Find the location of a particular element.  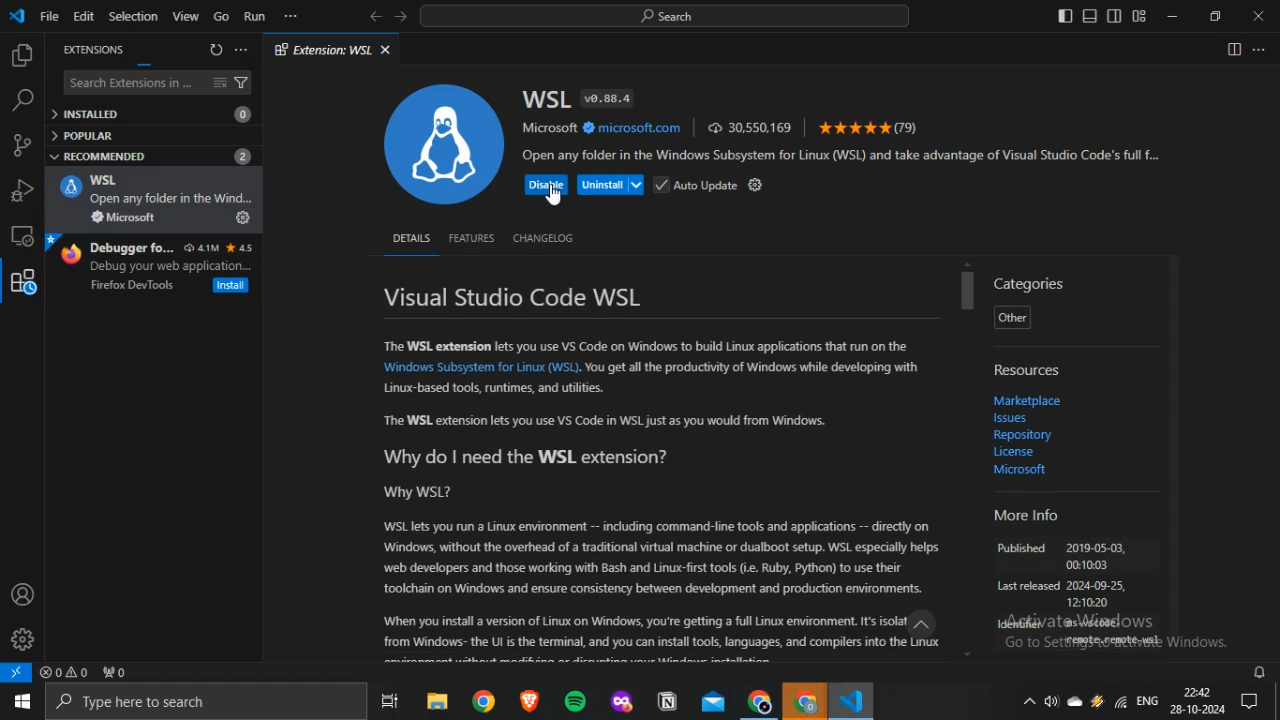

Uninstall is located at coordinates (610, 185).